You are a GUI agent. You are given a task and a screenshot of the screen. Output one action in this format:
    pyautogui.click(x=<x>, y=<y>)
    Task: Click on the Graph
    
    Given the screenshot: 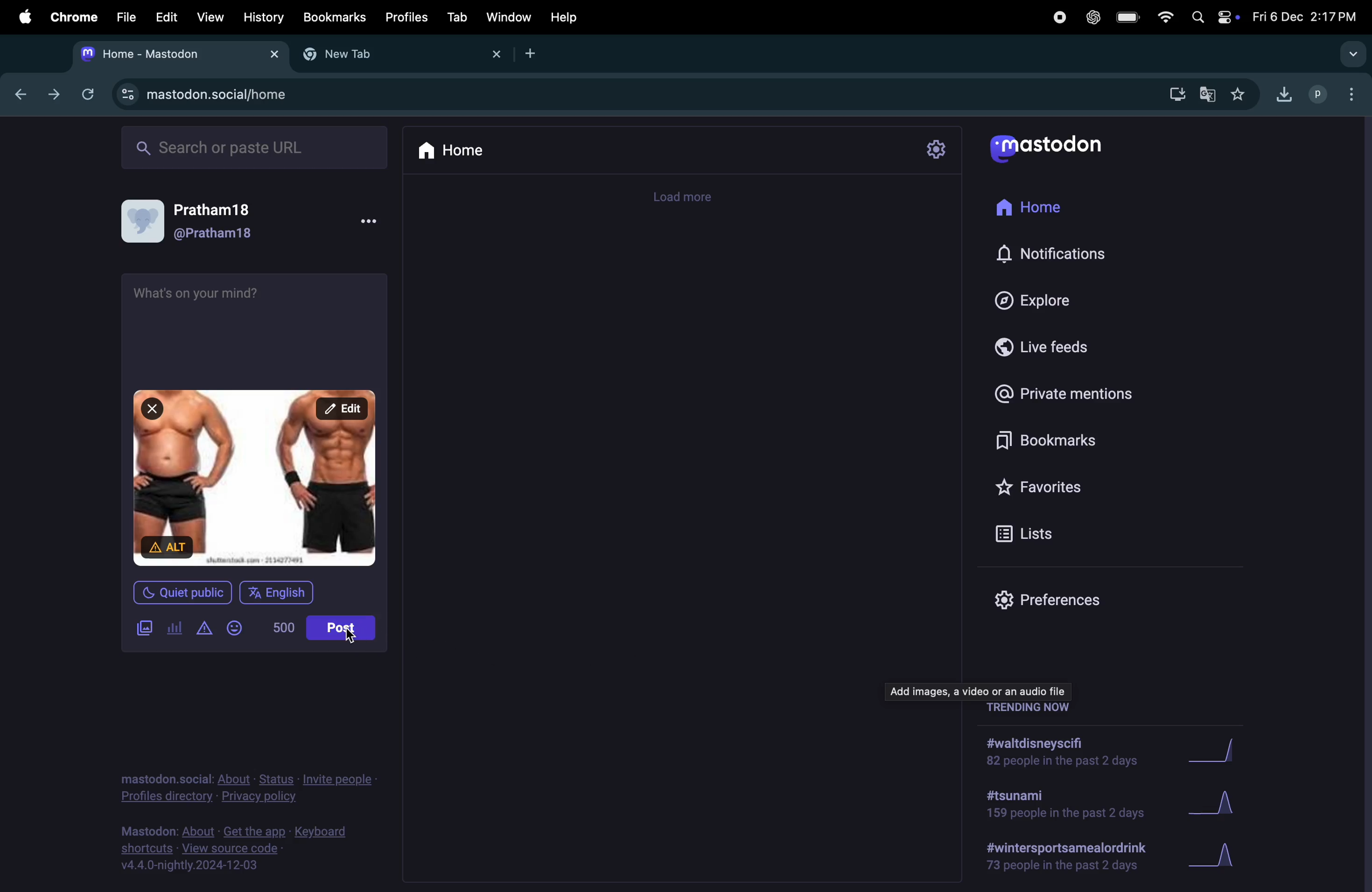 What is the action you would take?
    pyautogui.click(x=1222, y=800)
    